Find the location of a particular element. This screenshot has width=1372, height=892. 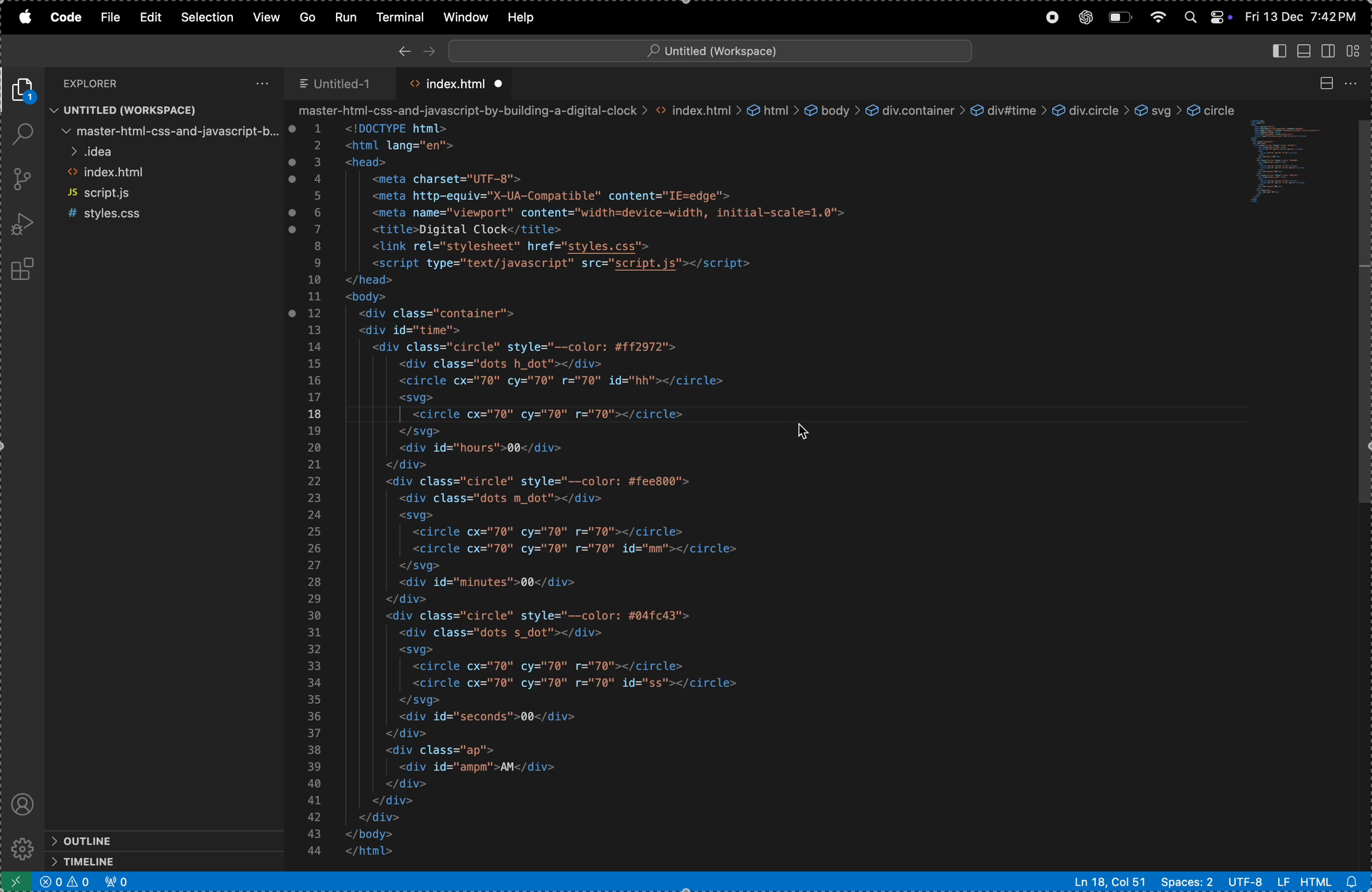

Selection is located at coordinates (209, 17).